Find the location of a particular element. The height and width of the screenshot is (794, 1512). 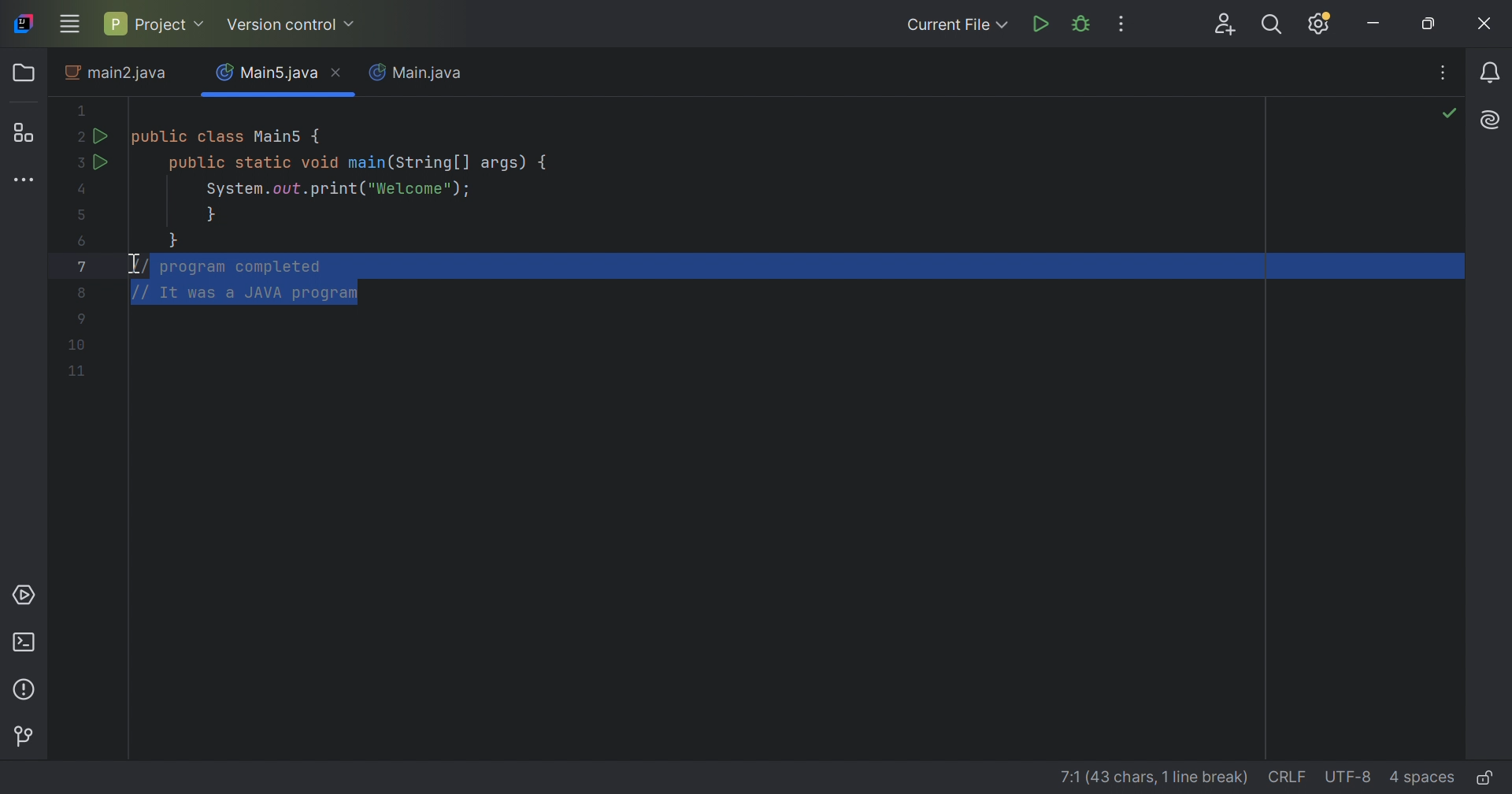

Project is located at coordinates (156, 21).